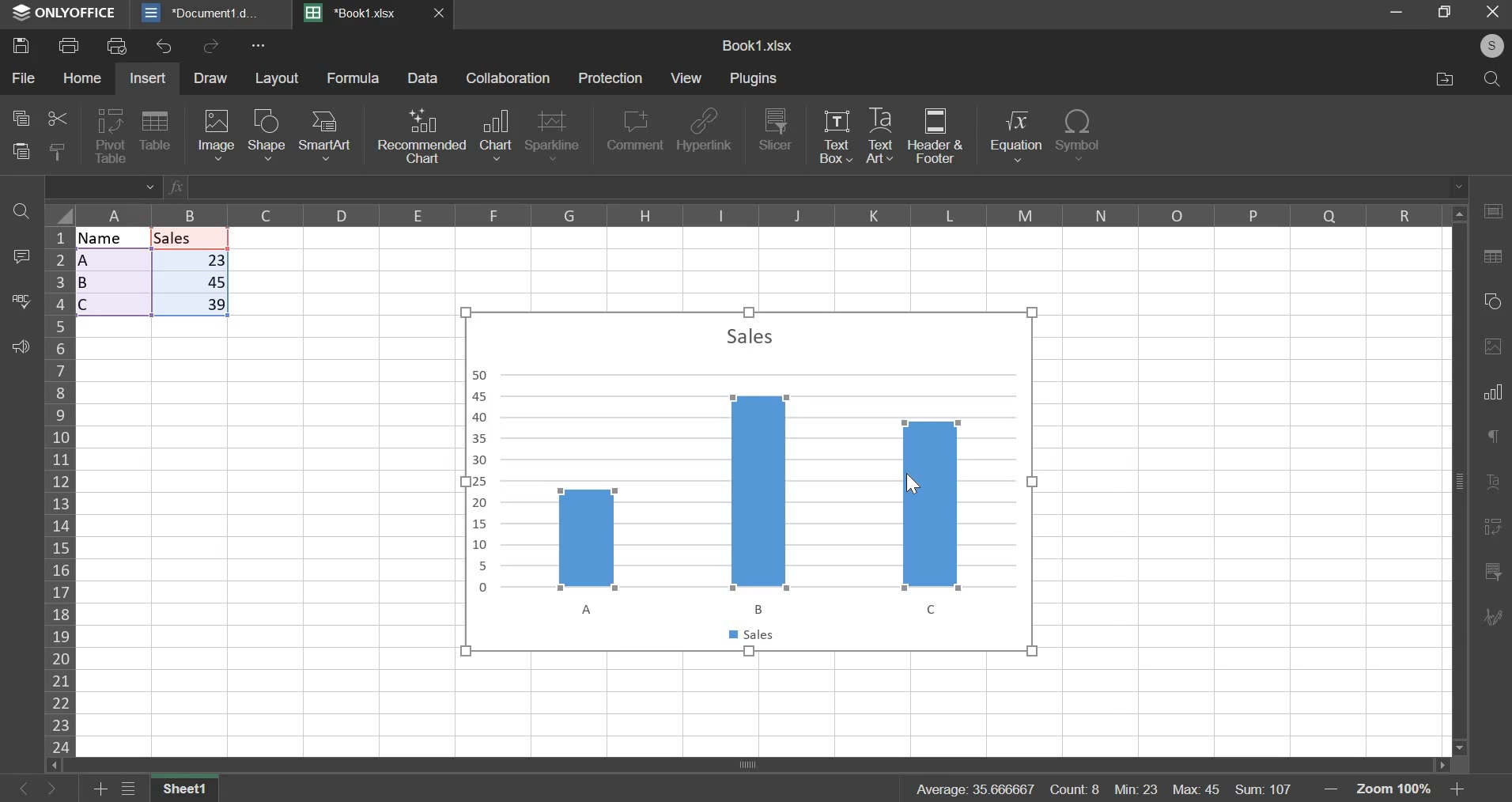 The image size is (1512, 802). Describe the element at coordinates (1461, 477) in the screenshot. I see `Vertical scroll bar` at that location.